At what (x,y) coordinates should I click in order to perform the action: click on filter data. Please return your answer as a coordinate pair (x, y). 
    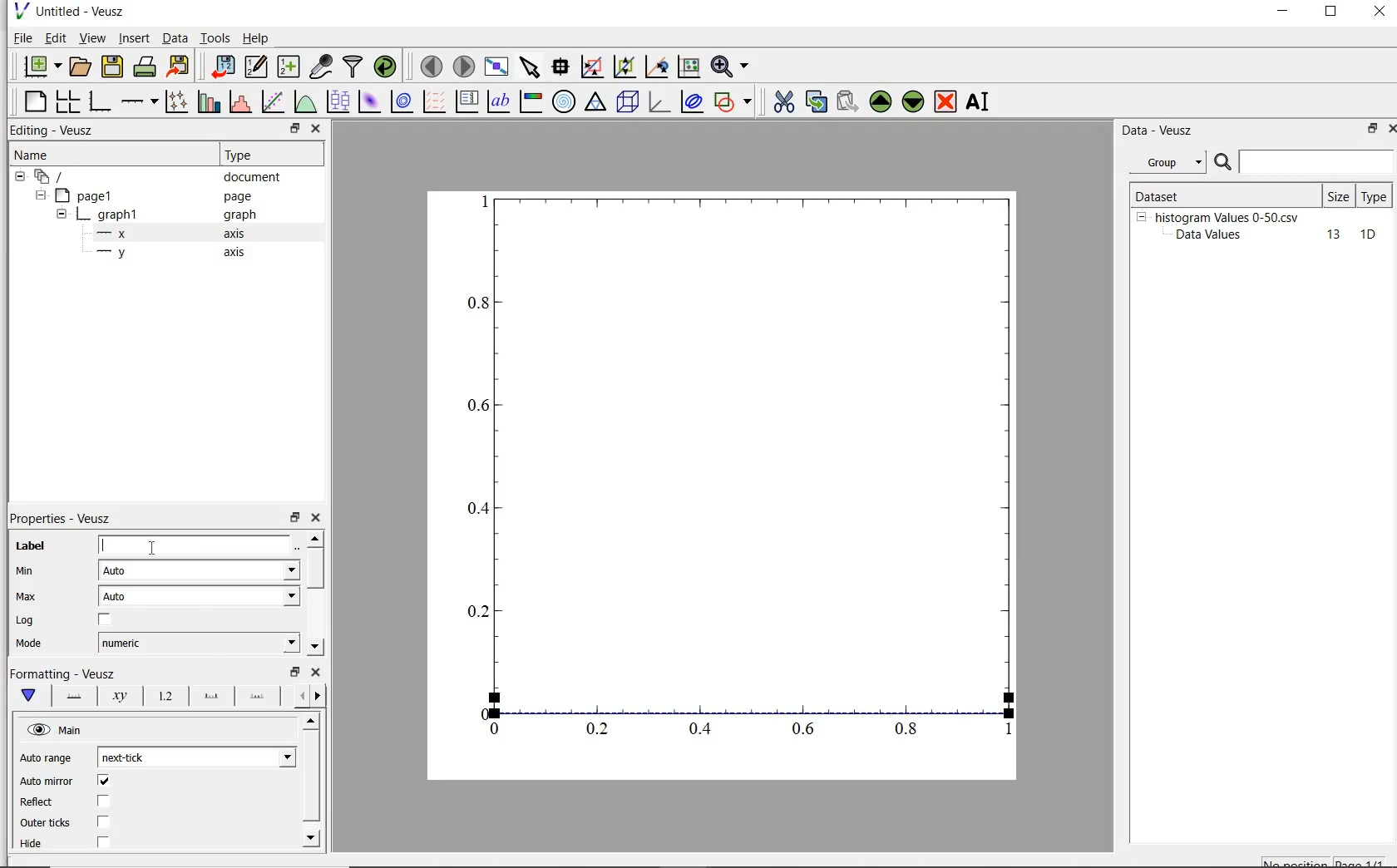
    Looking at the image, I should click on (353, 67).